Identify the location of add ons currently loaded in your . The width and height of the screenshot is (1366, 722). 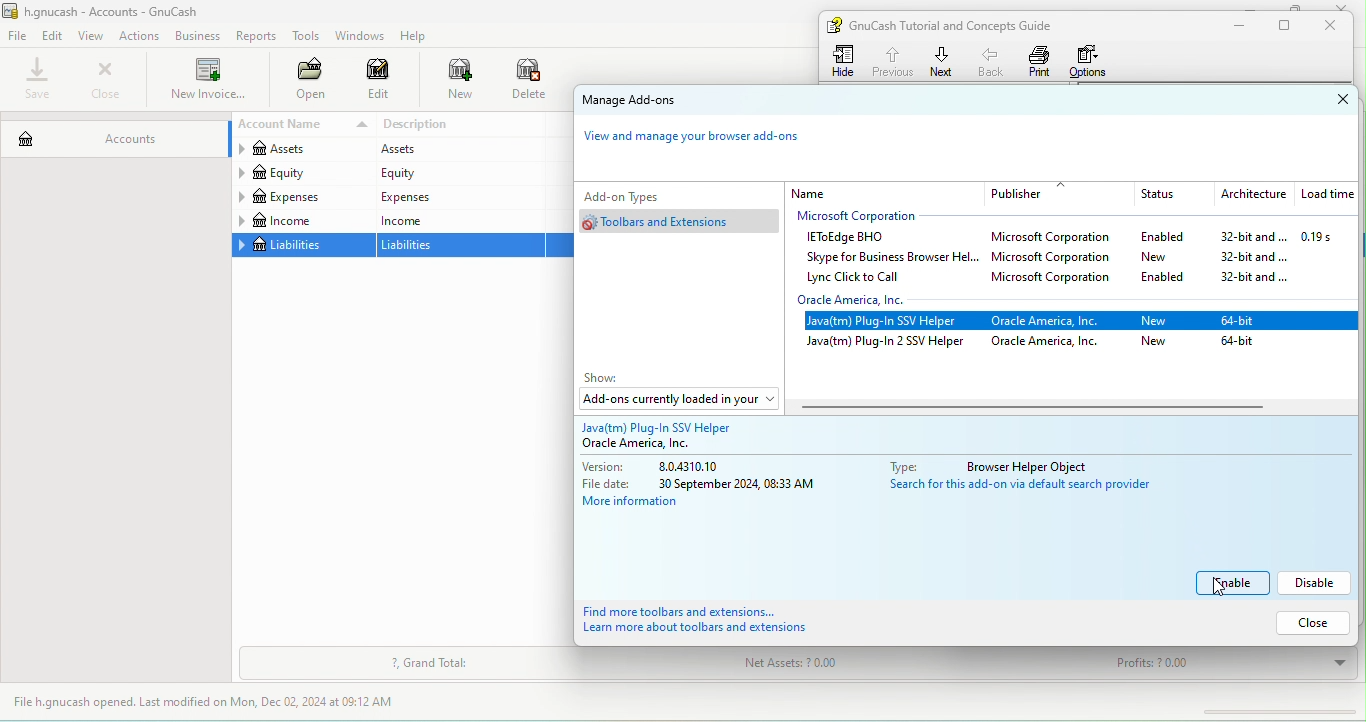
(677, 398).